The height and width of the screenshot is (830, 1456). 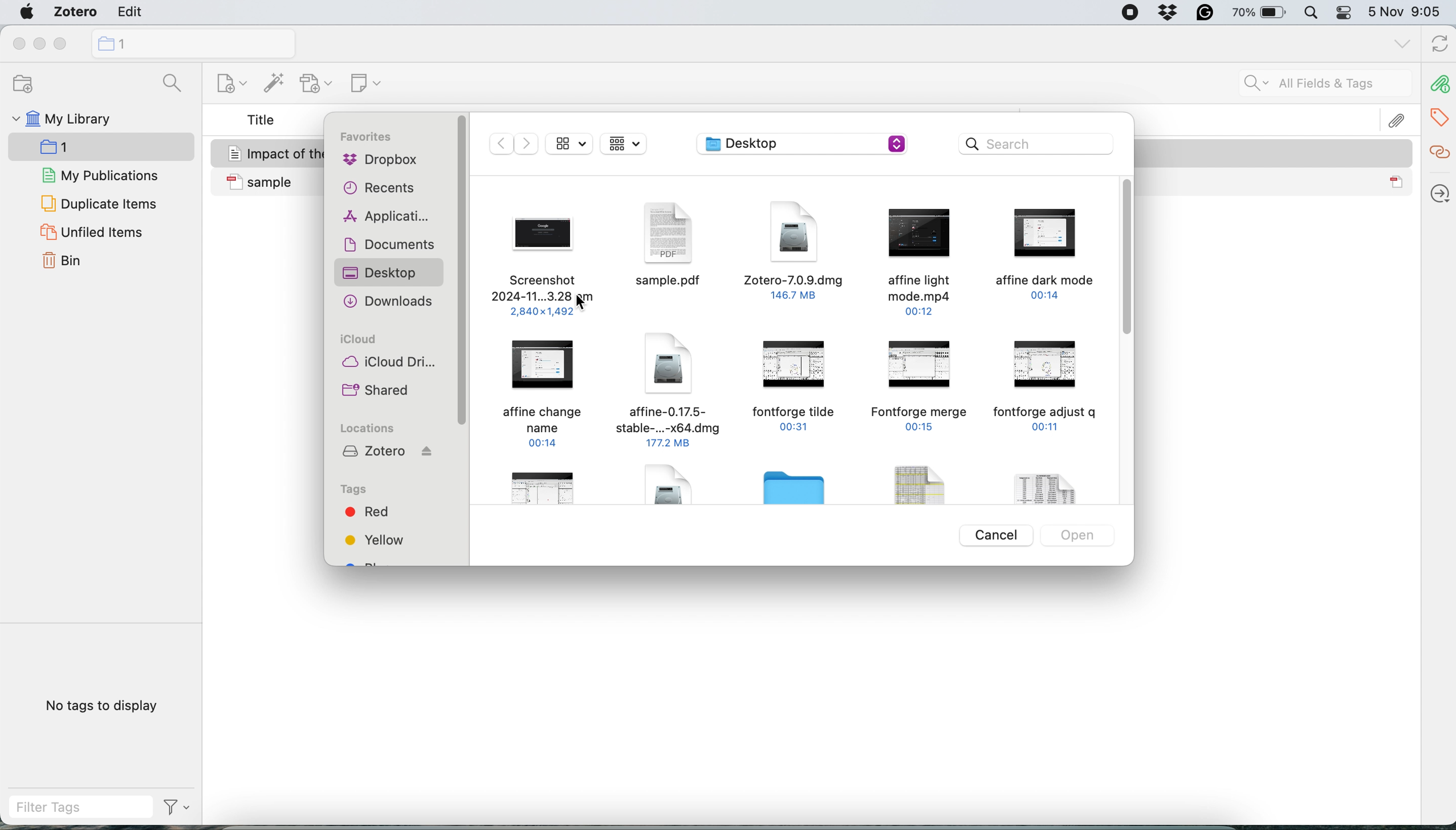 I want to click on Folder, so click(x=799, y=491).